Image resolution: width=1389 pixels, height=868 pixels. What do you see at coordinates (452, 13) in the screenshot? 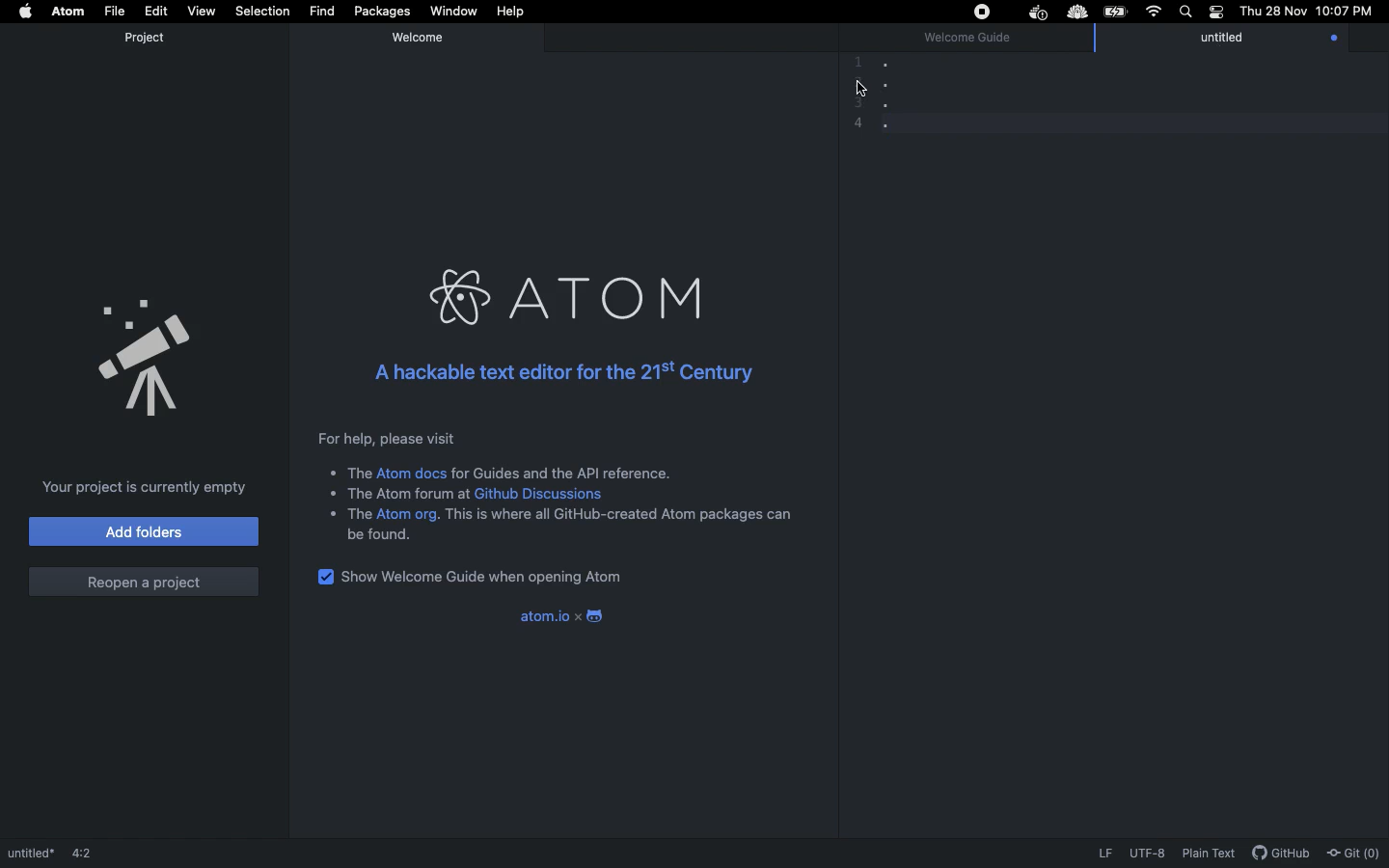
I see `Window` at bounding box center [452, 13].